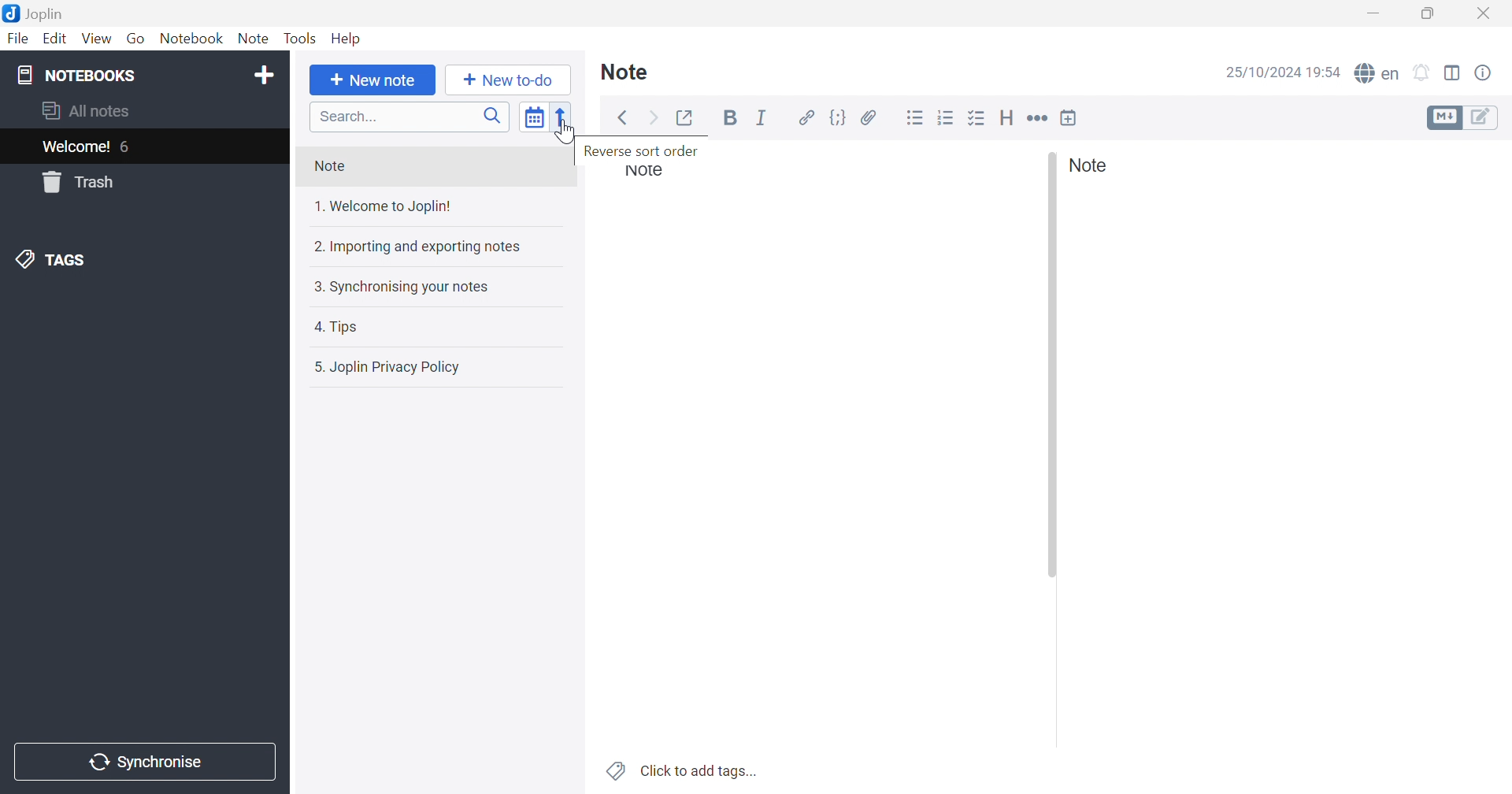 The width and height of the screenshot is (1512, 794). I want to click on Hyperlink, so click(807, 118).